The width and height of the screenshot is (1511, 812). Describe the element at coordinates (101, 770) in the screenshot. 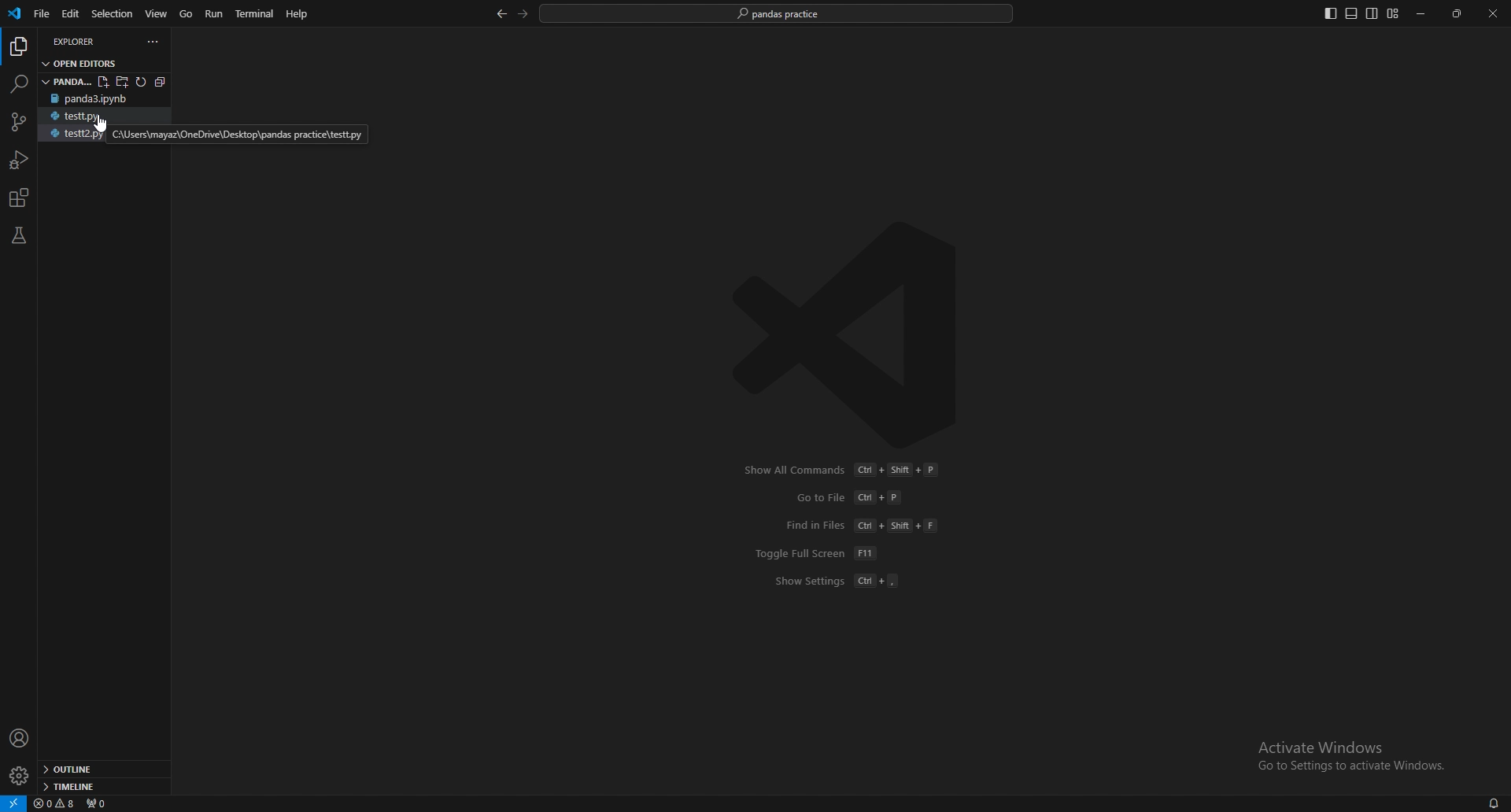

I see `outline` at that location.